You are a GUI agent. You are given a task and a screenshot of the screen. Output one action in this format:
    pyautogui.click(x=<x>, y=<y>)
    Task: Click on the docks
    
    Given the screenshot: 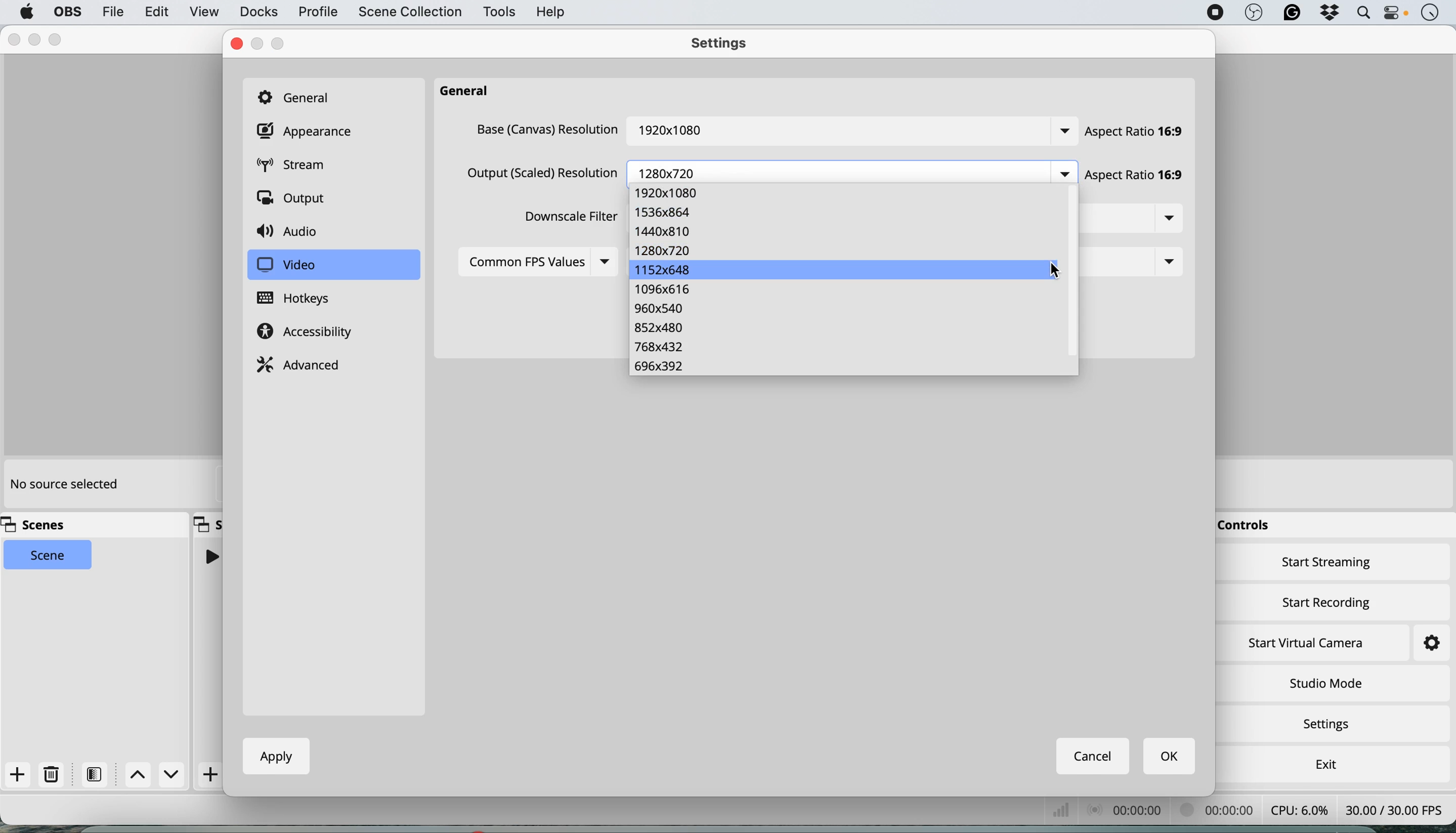 What is the action you would take?
    pyautogui.click(x=258, y=12)
    